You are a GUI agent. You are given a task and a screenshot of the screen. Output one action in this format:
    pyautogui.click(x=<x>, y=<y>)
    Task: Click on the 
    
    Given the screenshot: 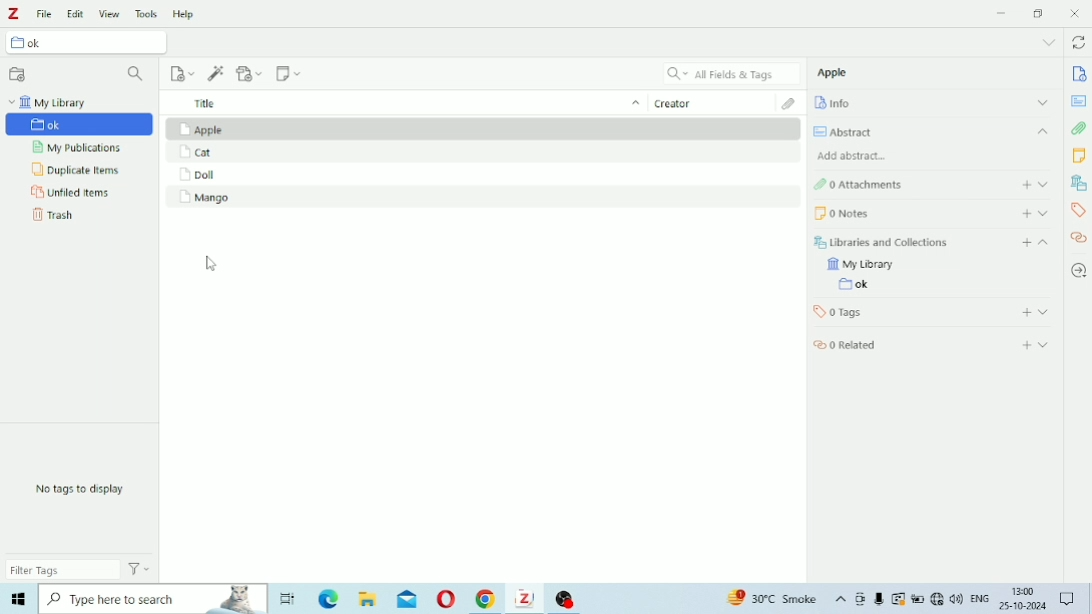 What is the action you would take?
    pyautogui.click(x=482, y=598)
    